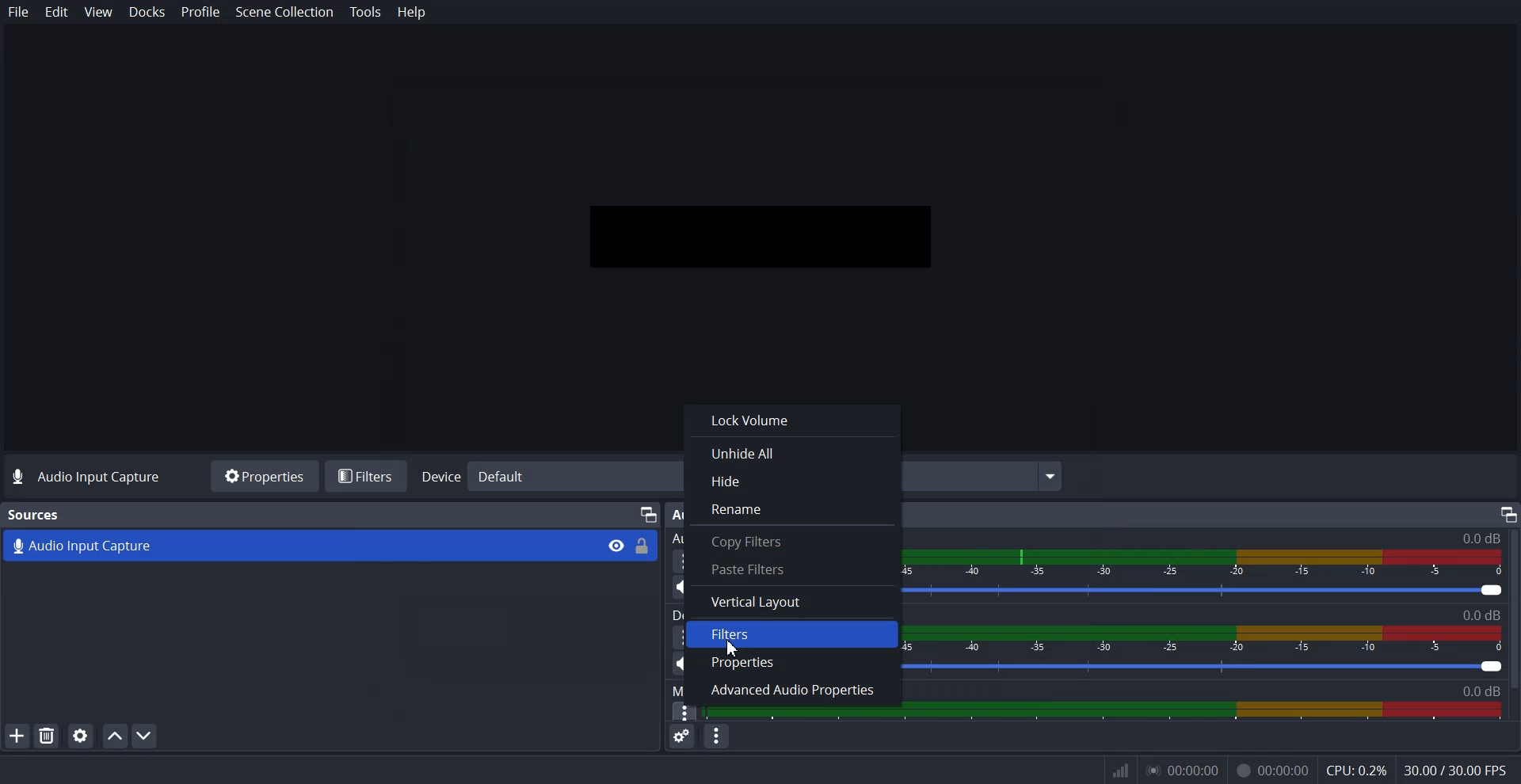  What do you see at coordinates (1355, 772) in the screenshot?
I see `CPU: 0.3%` at bounding box center [1355, 772].